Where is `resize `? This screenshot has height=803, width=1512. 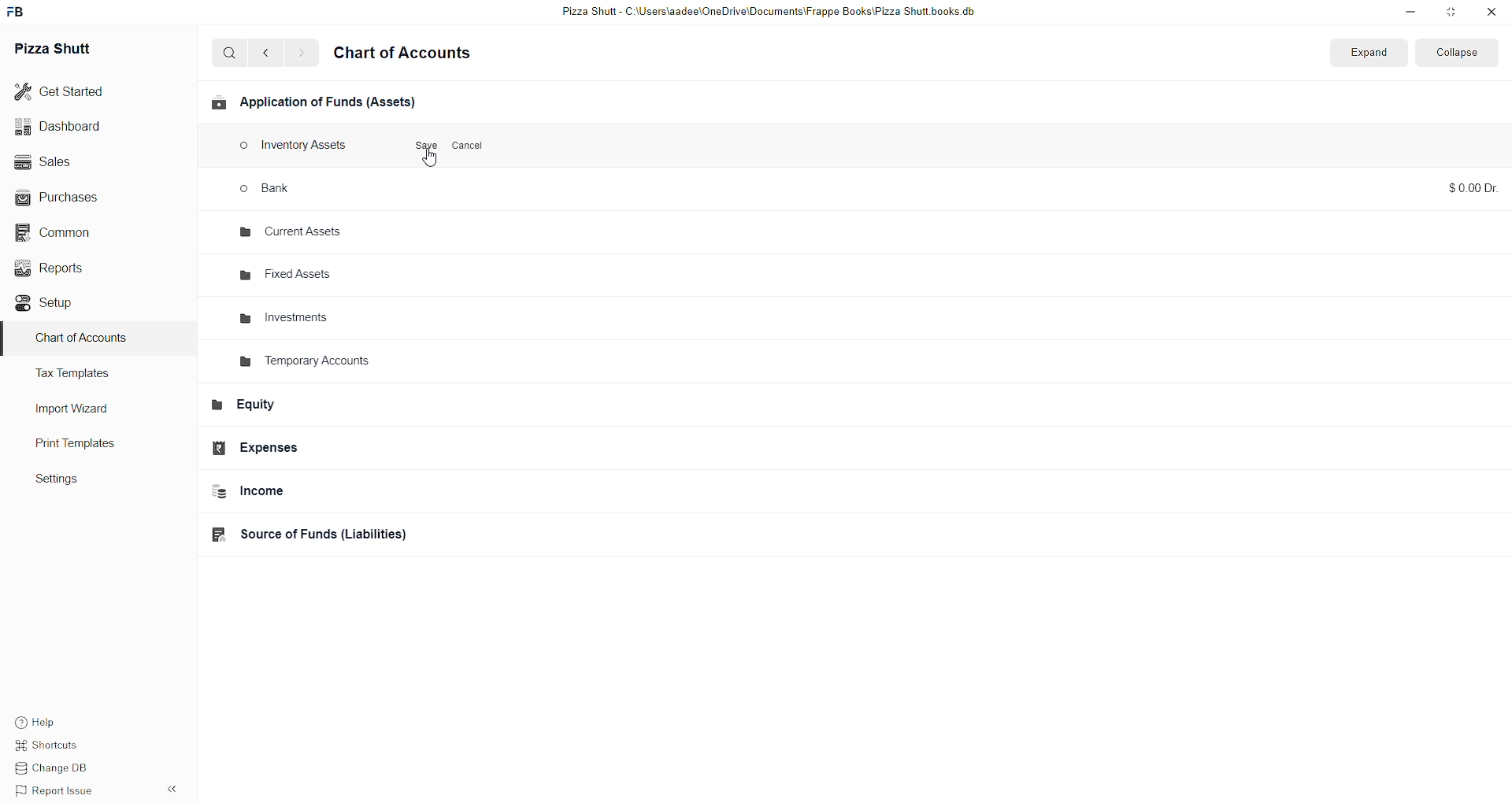 resize  is located at coordinates (1451, 13).